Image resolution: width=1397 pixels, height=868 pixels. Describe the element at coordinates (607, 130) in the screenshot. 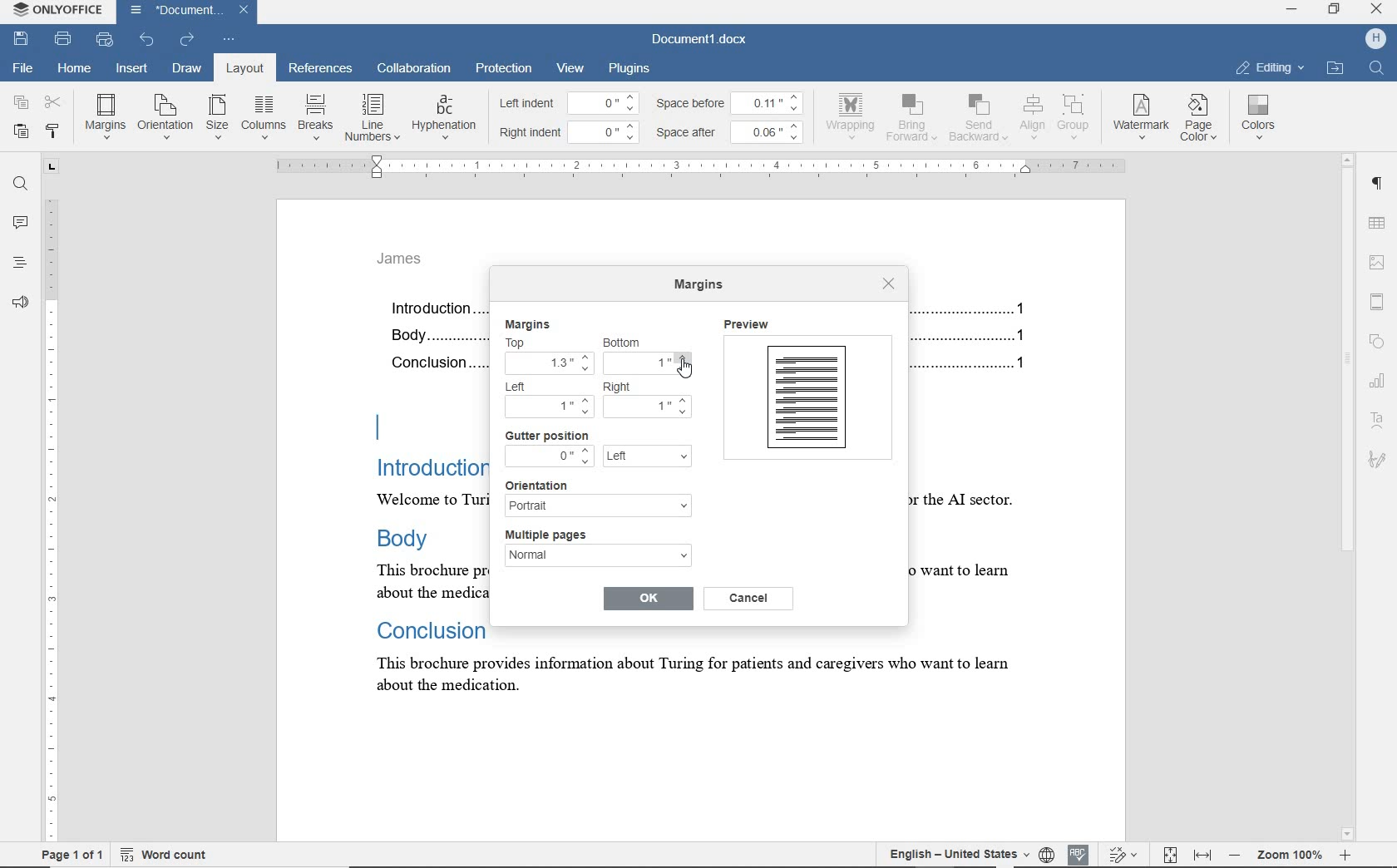

I see `0` at that location.